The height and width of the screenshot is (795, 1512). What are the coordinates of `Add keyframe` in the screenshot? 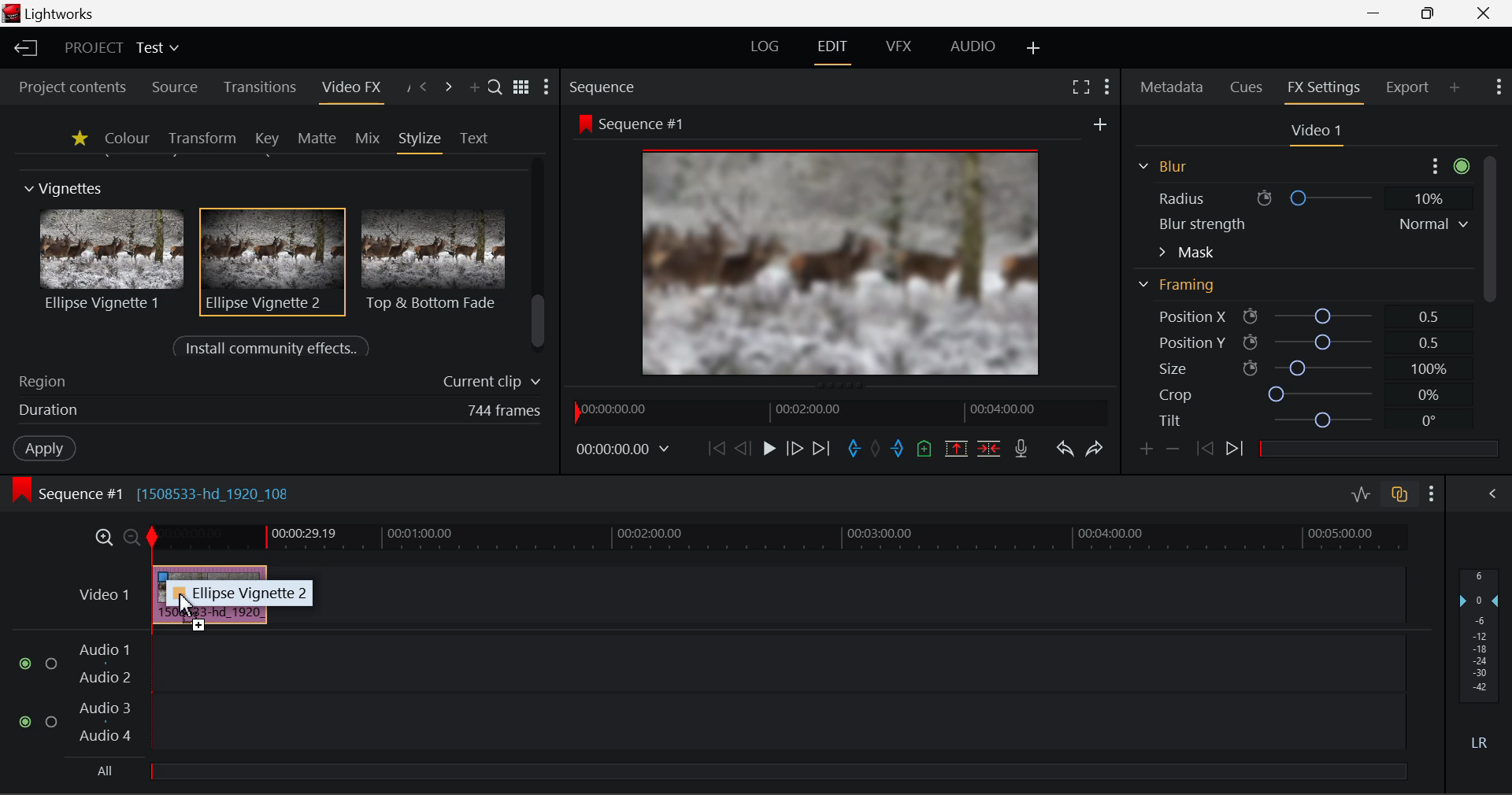 It's located at (1145, 449).